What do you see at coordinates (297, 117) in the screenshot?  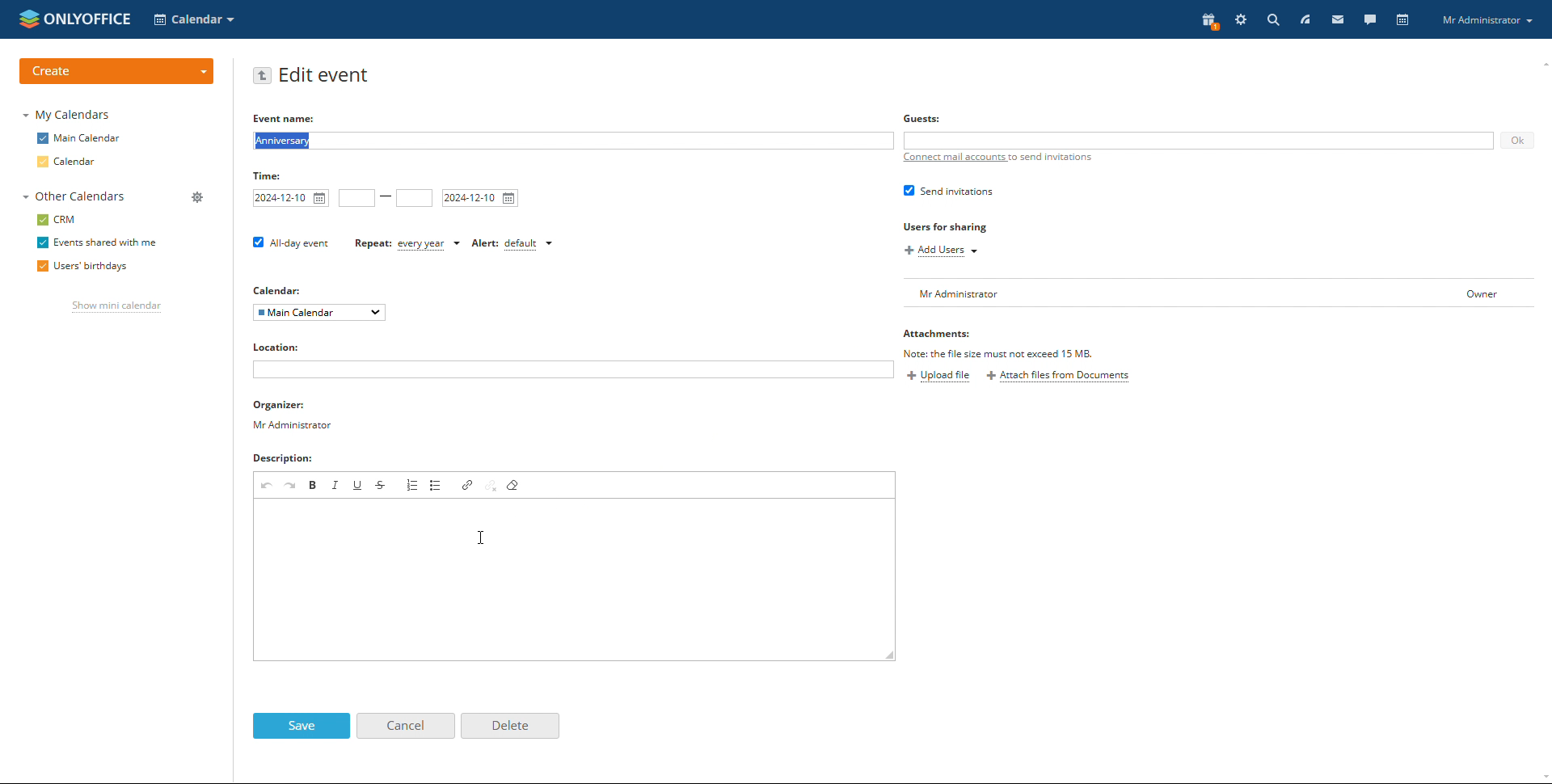 I see `Event name:` at bounding box center [297, 117].